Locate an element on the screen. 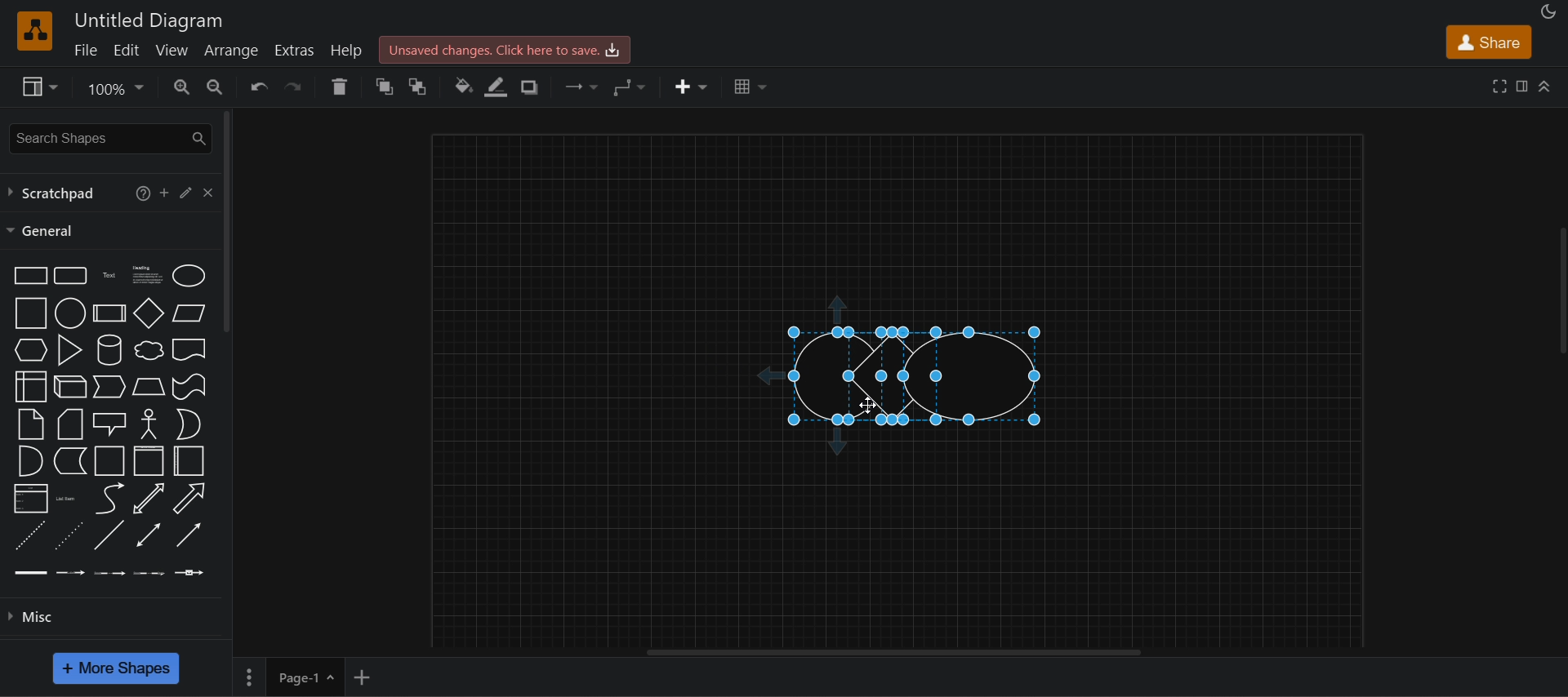 This screenshot has width=1568, height=697. view is located at coordinates (173, 50).